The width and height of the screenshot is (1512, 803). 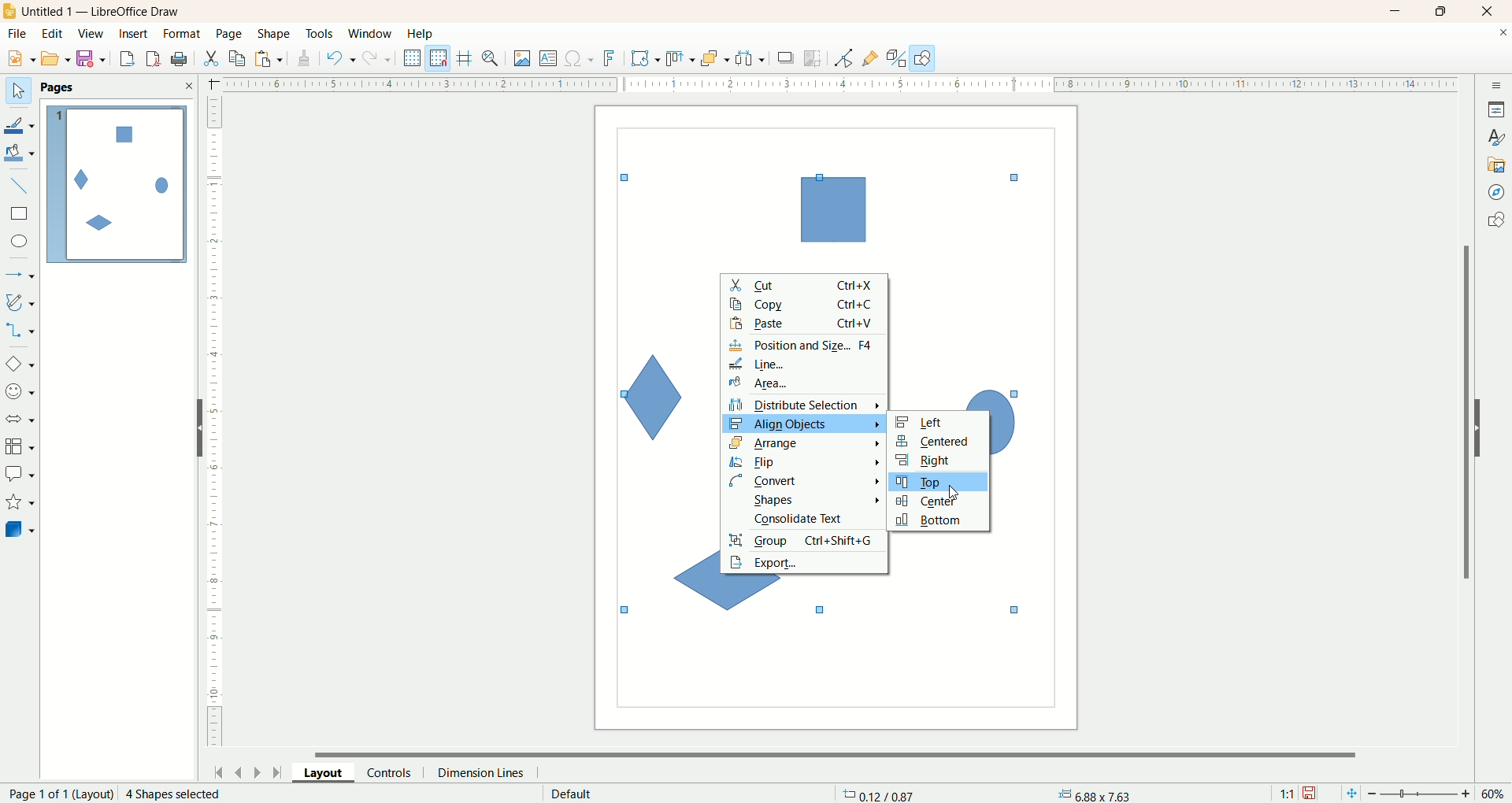 I want to click on copy, so click(x=805, y=304).